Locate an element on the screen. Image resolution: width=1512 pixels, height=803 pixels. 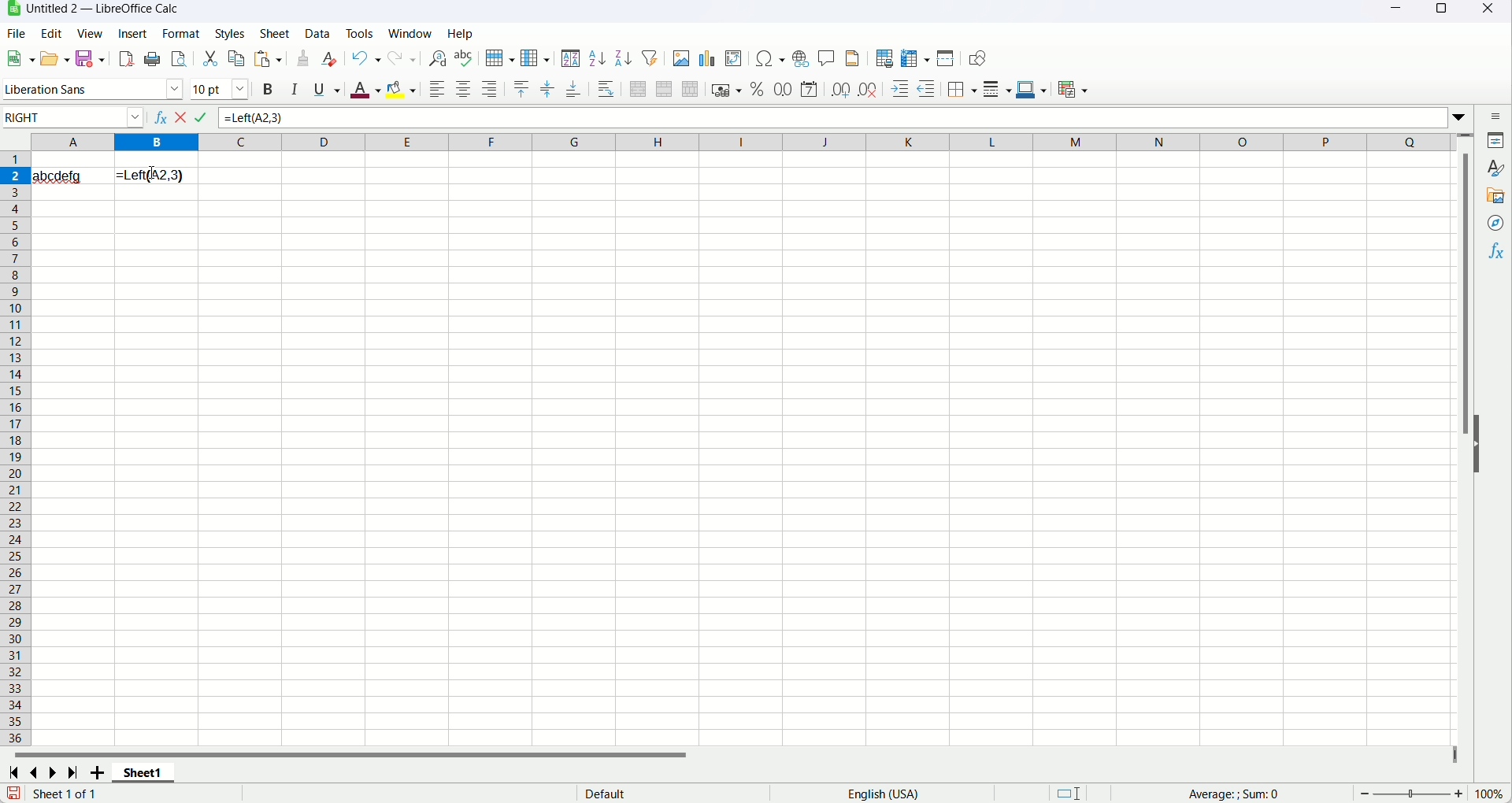
align left is located at coordinates (439, 89).